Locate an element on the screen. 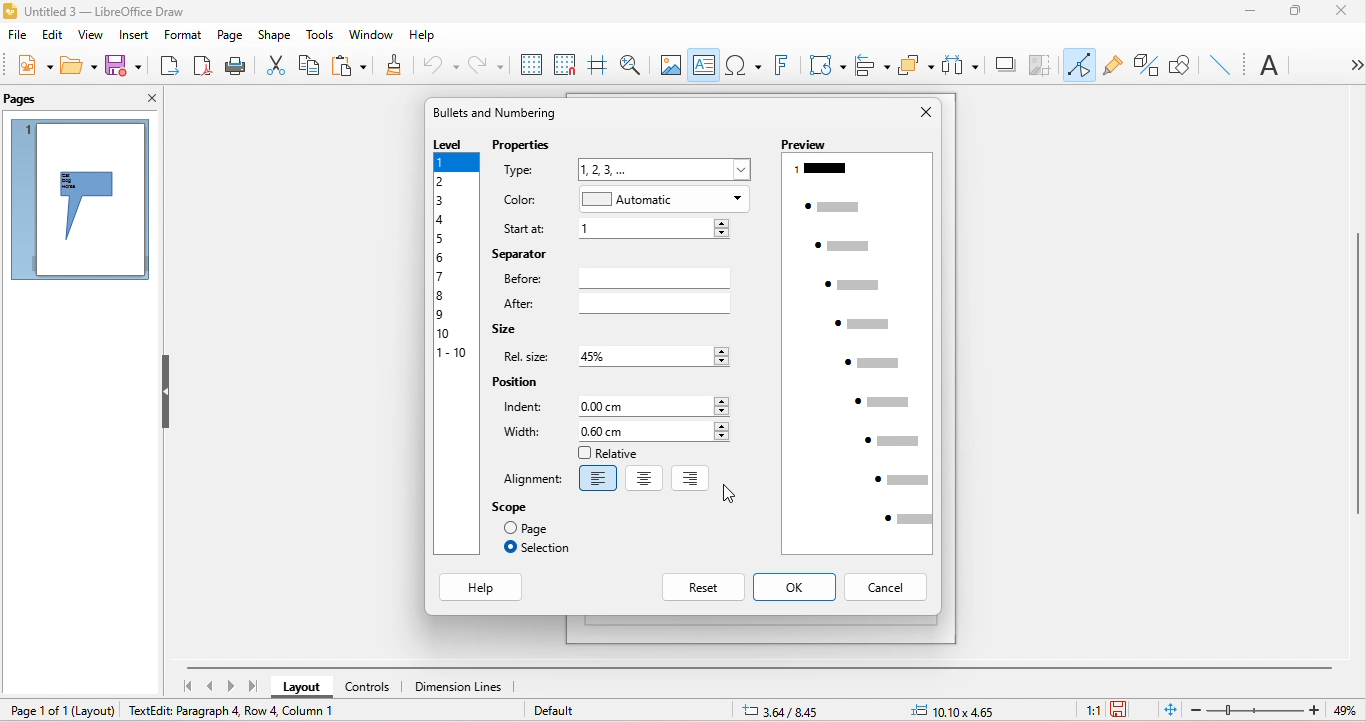  tools is located at coordinates (323, 35).